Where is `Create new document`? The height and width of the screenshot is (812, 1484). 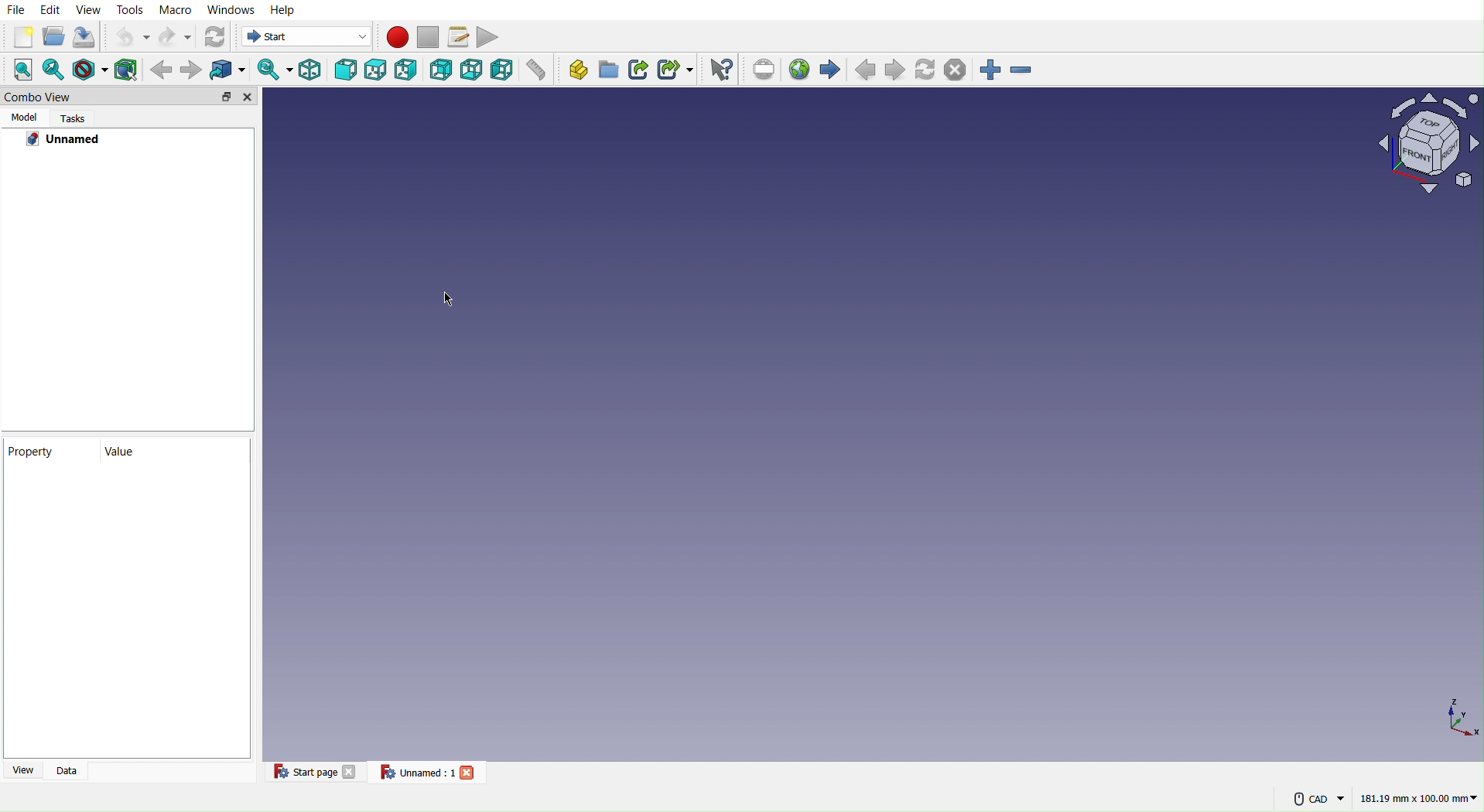 Create new document is located at coordinates (21, 36).